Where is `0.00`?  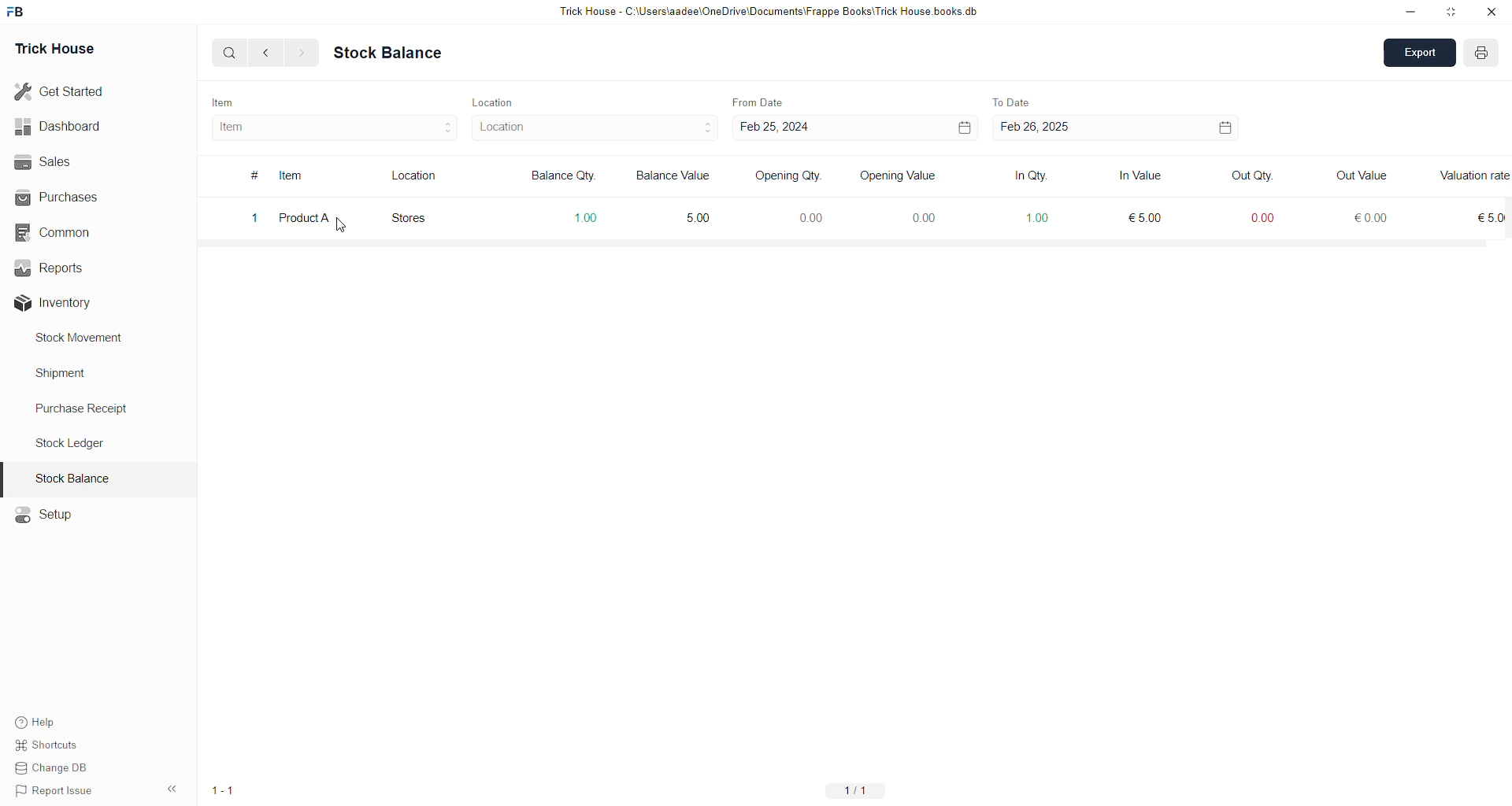
0.00 is located at coordinates (917, 218).